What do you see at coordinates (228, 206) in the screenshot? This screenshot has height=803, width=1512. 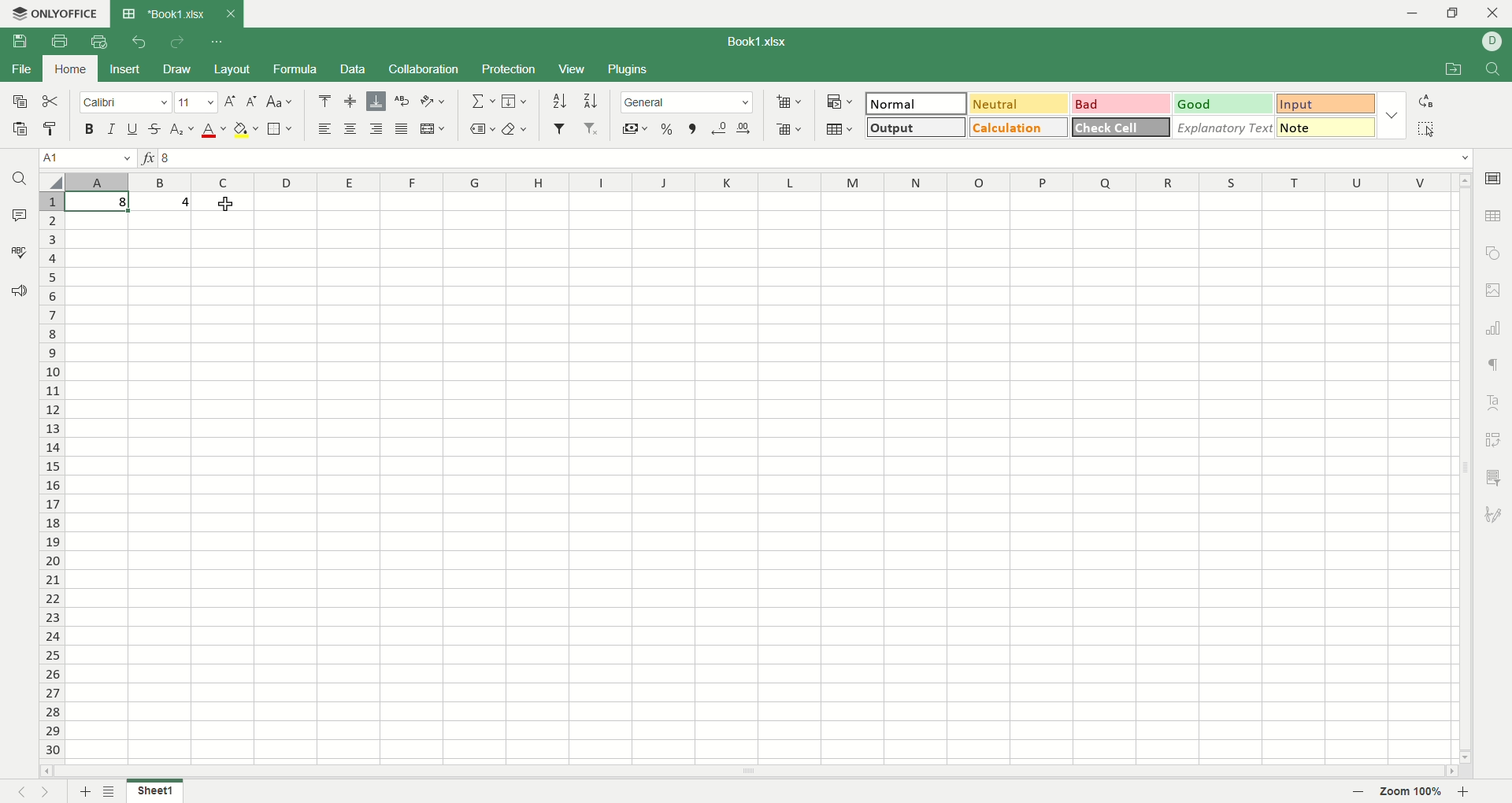 I see `cursor` at bounding box center [228, 206].